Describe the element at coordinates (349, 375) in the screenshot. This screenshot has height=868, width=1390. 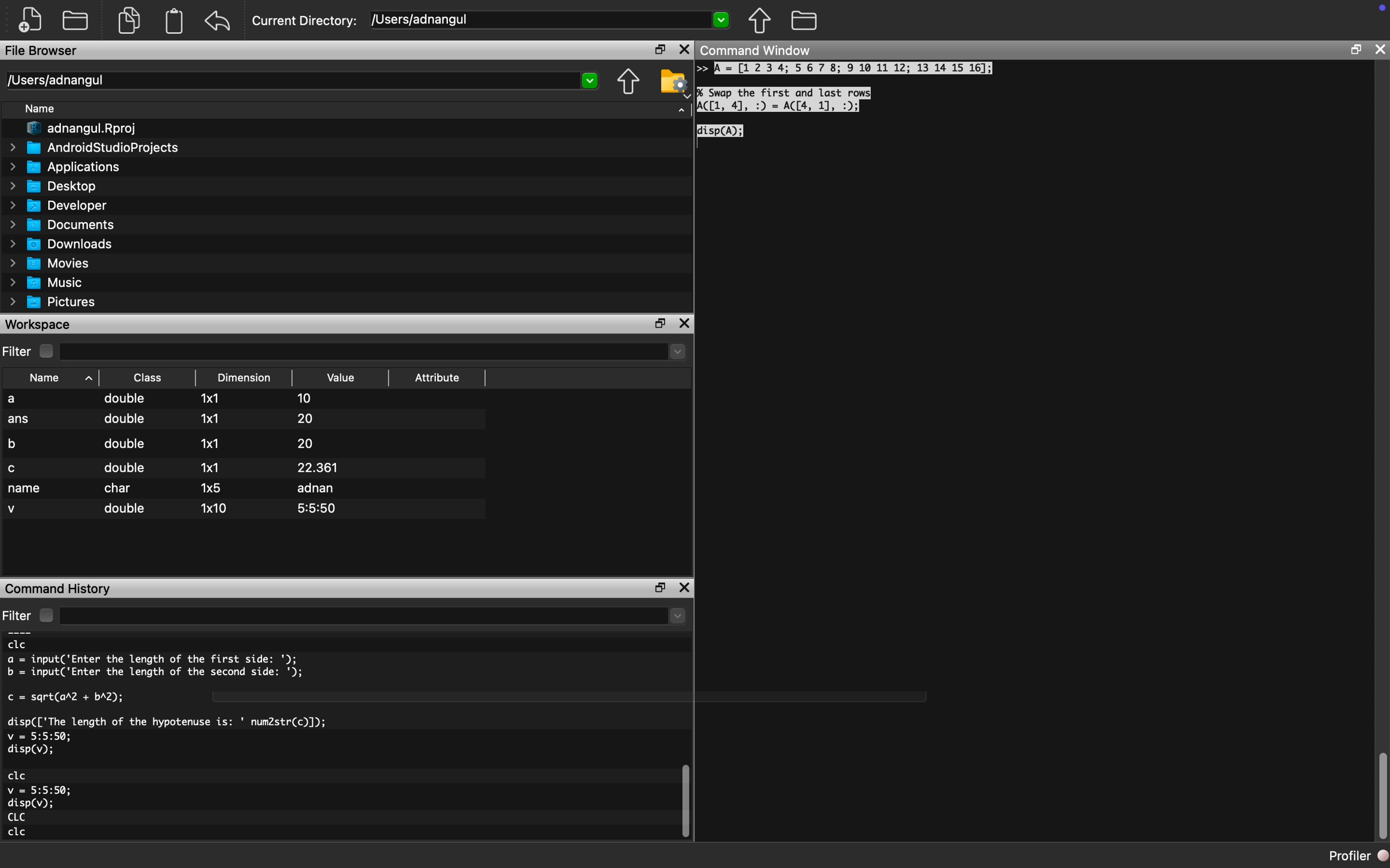
I see `Video` at that location.